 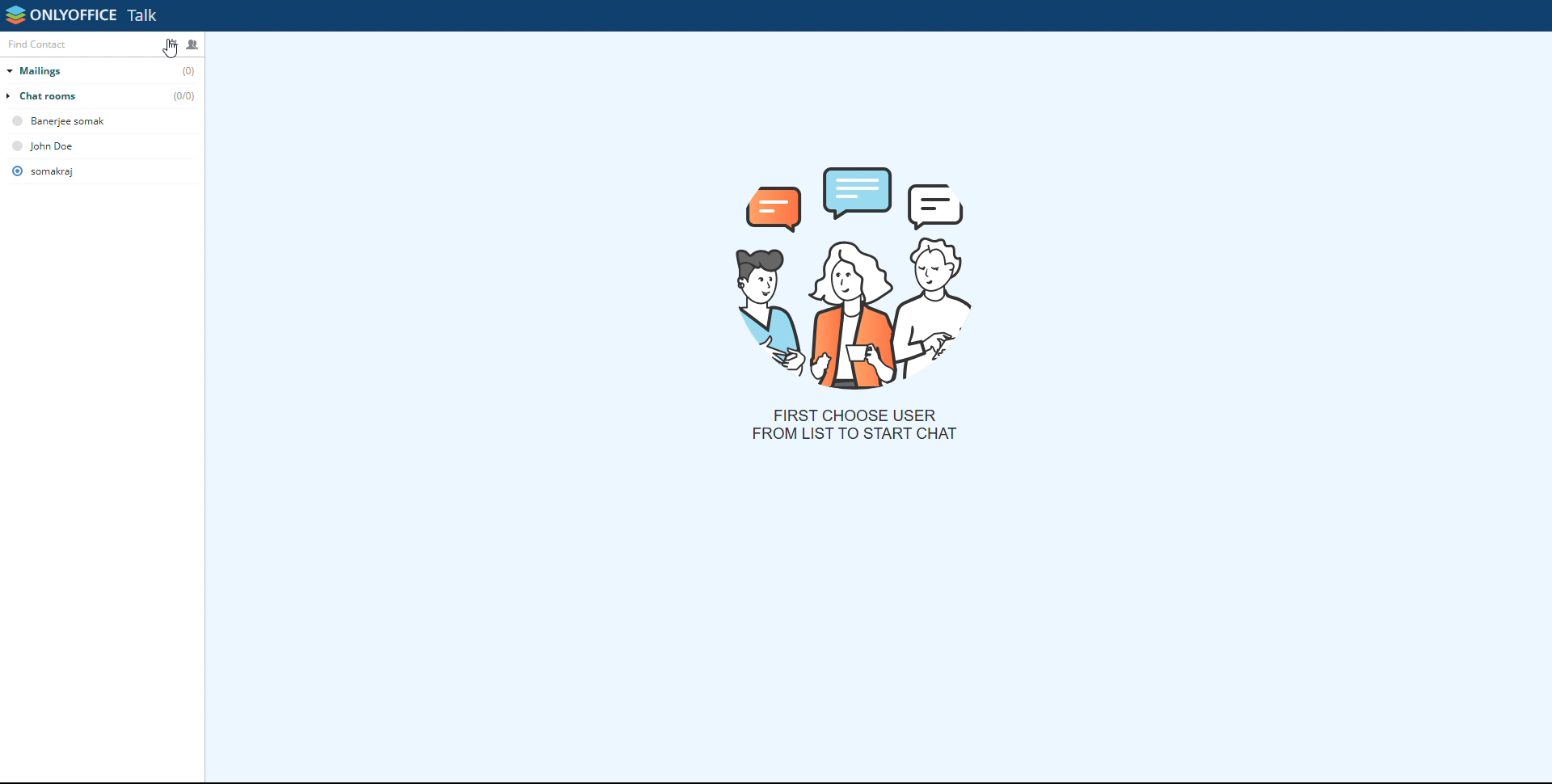 I want to click on find contact, so click(x=80, y=44).